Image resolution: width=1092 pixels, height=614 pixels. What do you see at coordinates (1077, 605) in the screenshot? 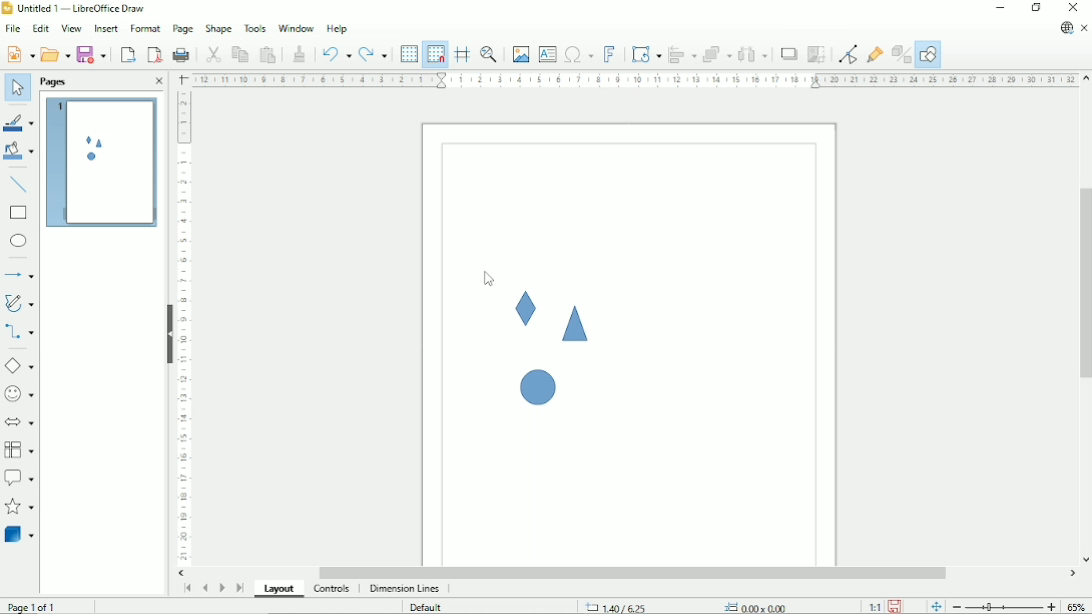
I see `Zoom factor` at bounding box center [1077, 605].